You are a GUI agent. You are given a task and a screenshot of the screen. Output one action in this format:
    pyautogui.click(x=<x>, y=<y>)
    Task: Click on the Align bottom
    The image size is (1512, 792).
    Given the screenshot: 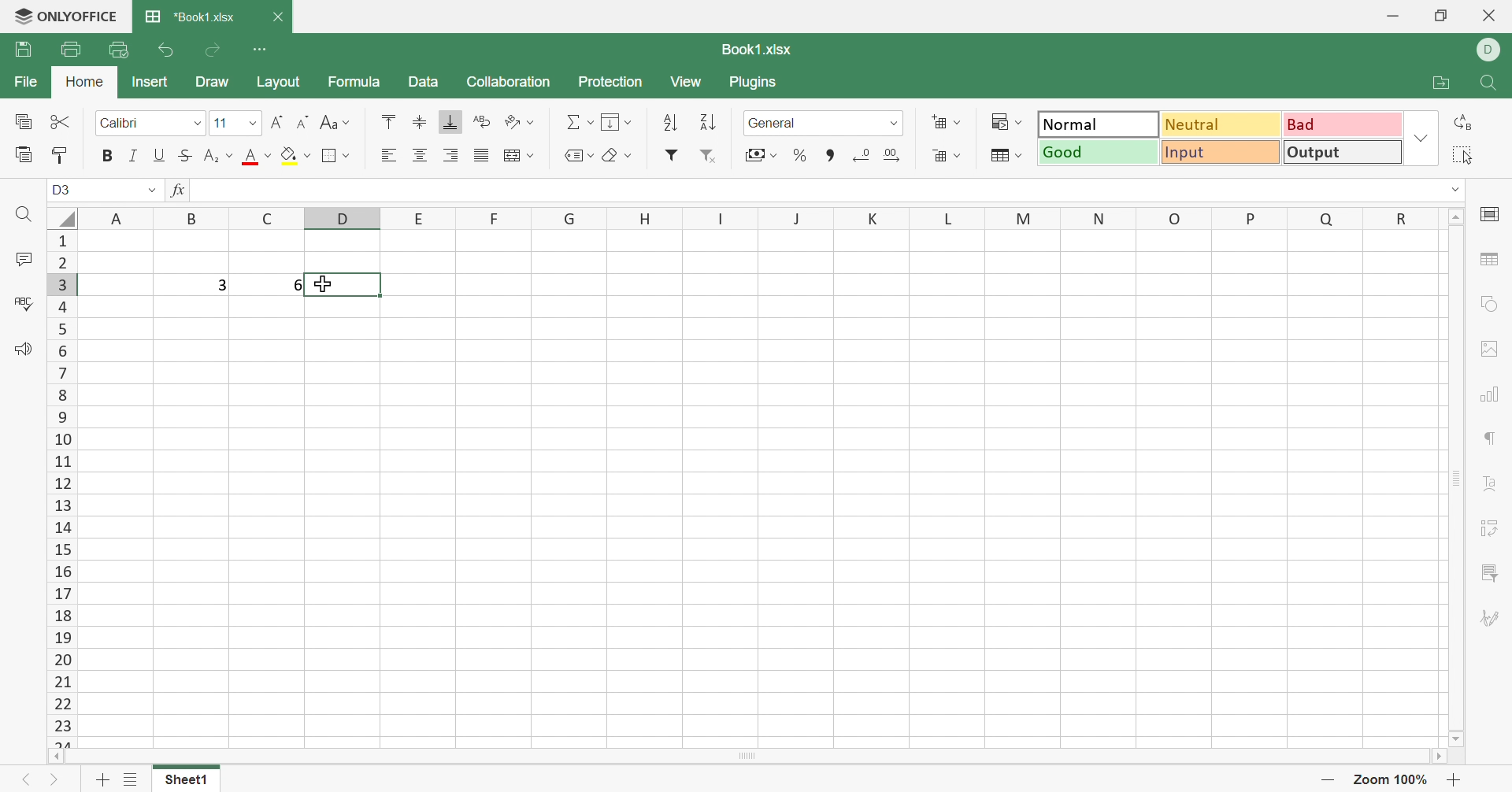 What is the action you would take?
    pyautogui.click(x=453, y=121)
    